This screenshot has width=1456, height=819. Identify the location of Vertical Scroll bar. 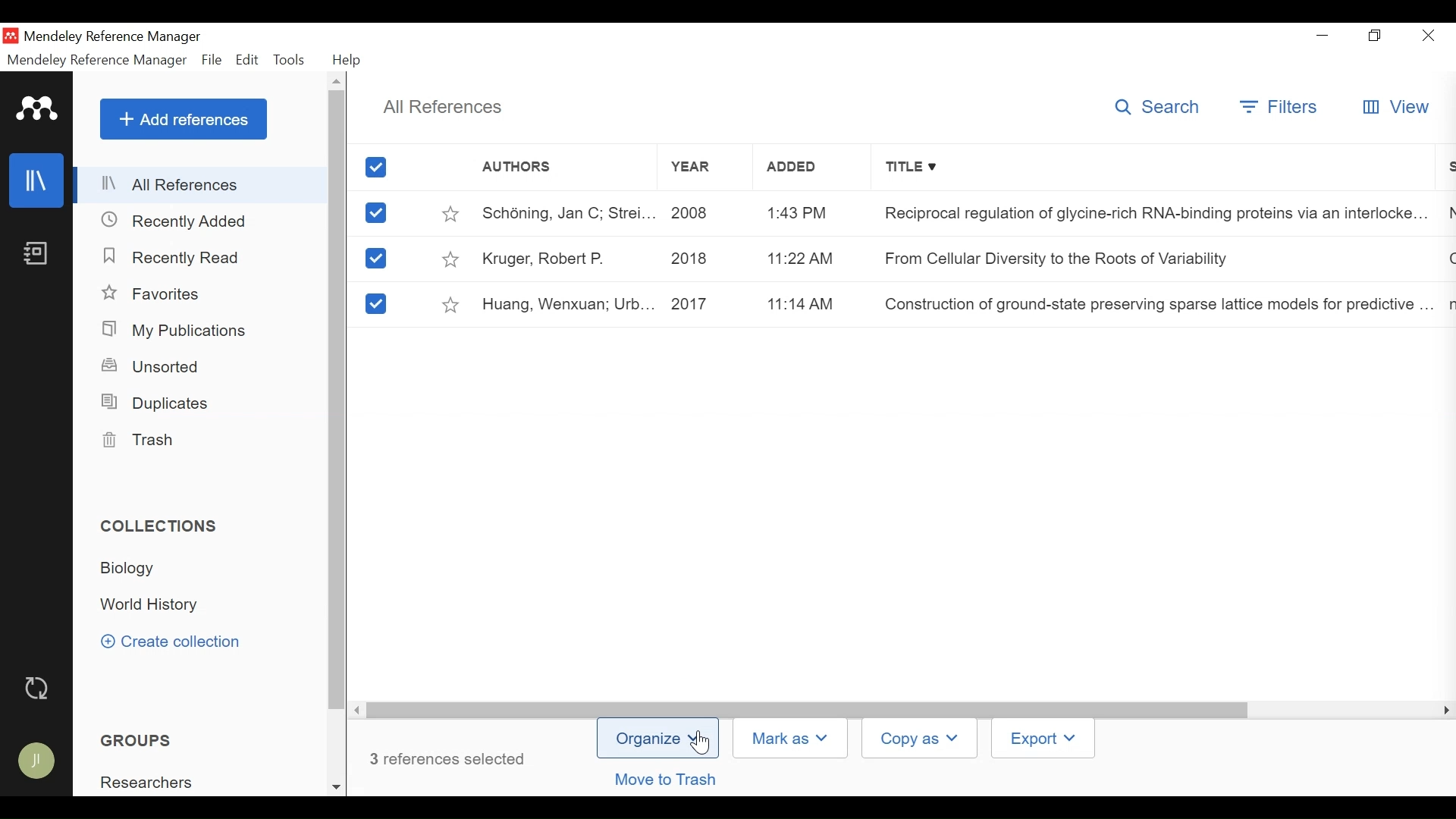
(338, 401).